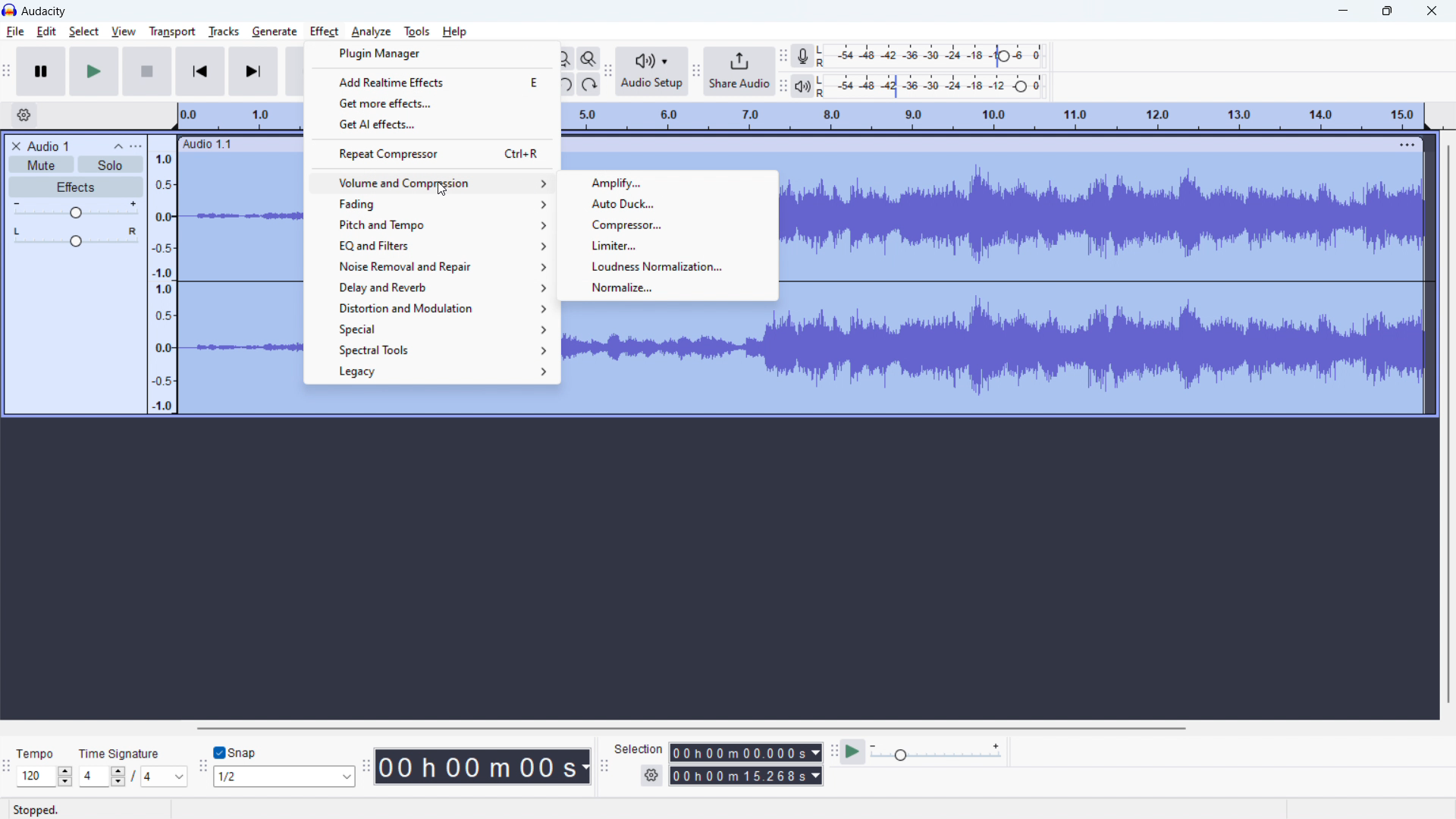 This screenshot has height=819, width=1456. Describe the element at coordinates (431, 103) in the screenshot. I see `get more effects` at that location.